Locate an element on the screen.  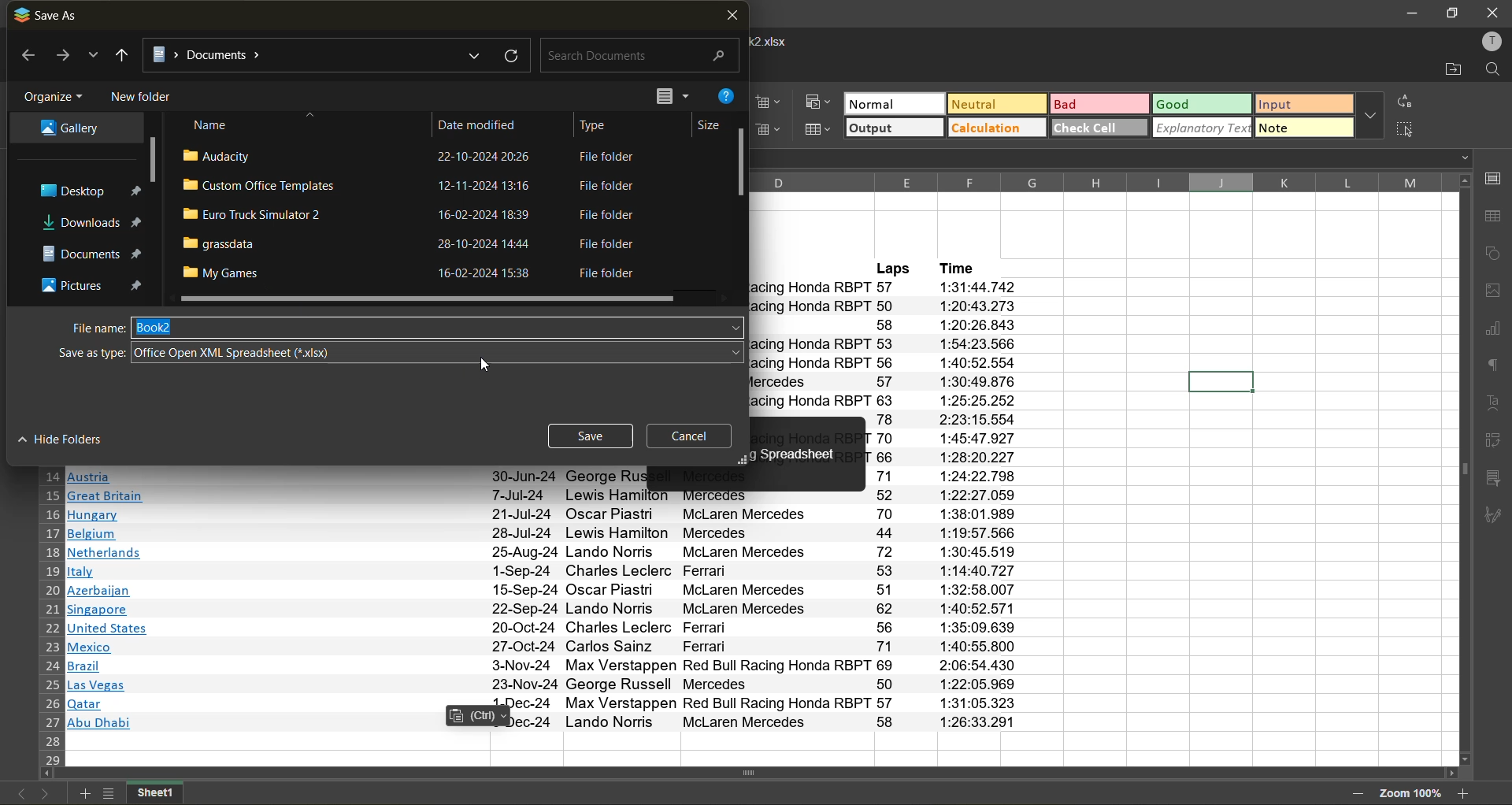
images is located at coordinates (1493, 292).